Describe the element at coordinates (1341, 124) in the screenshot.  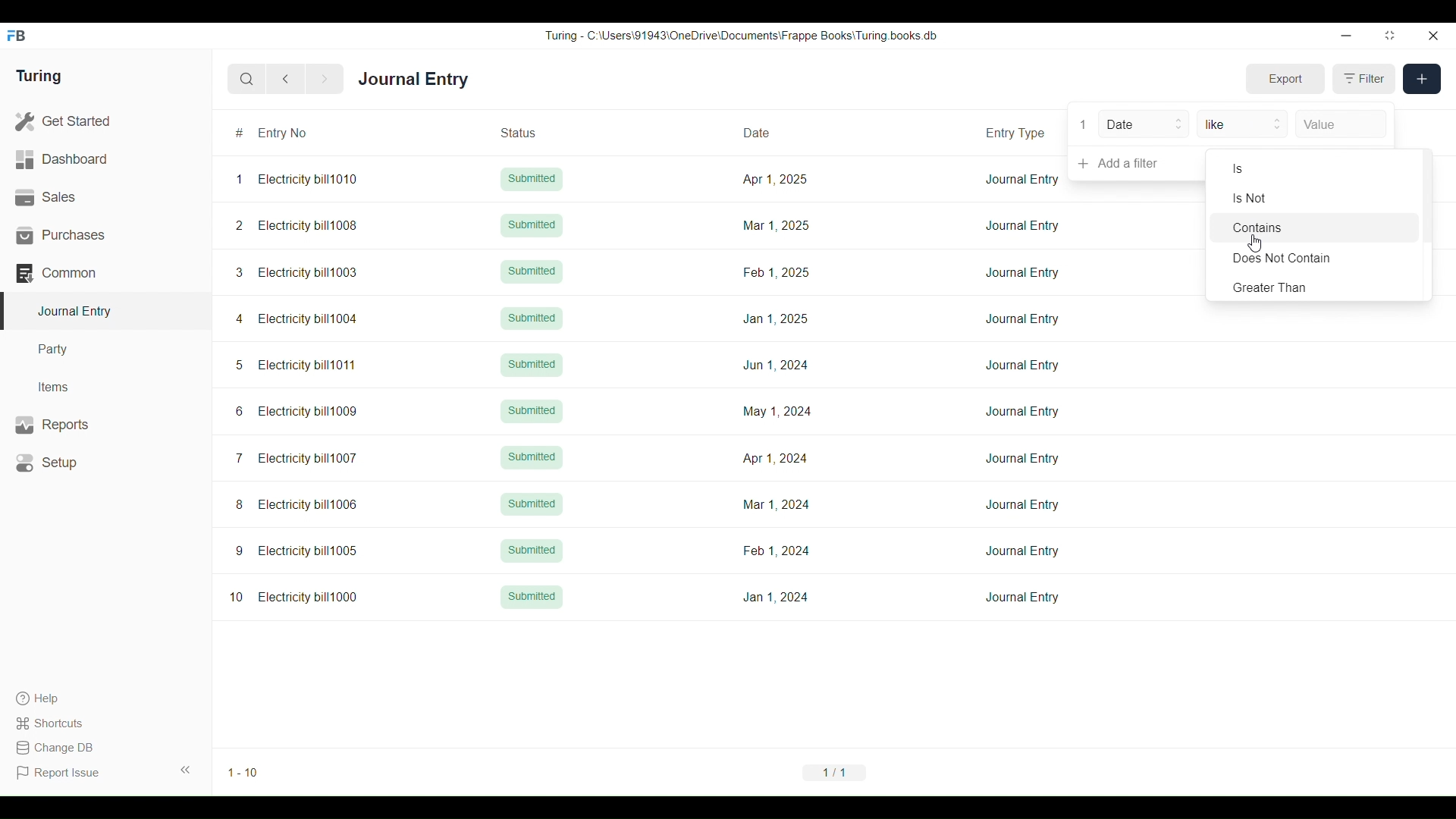
I see `Value` at that location.